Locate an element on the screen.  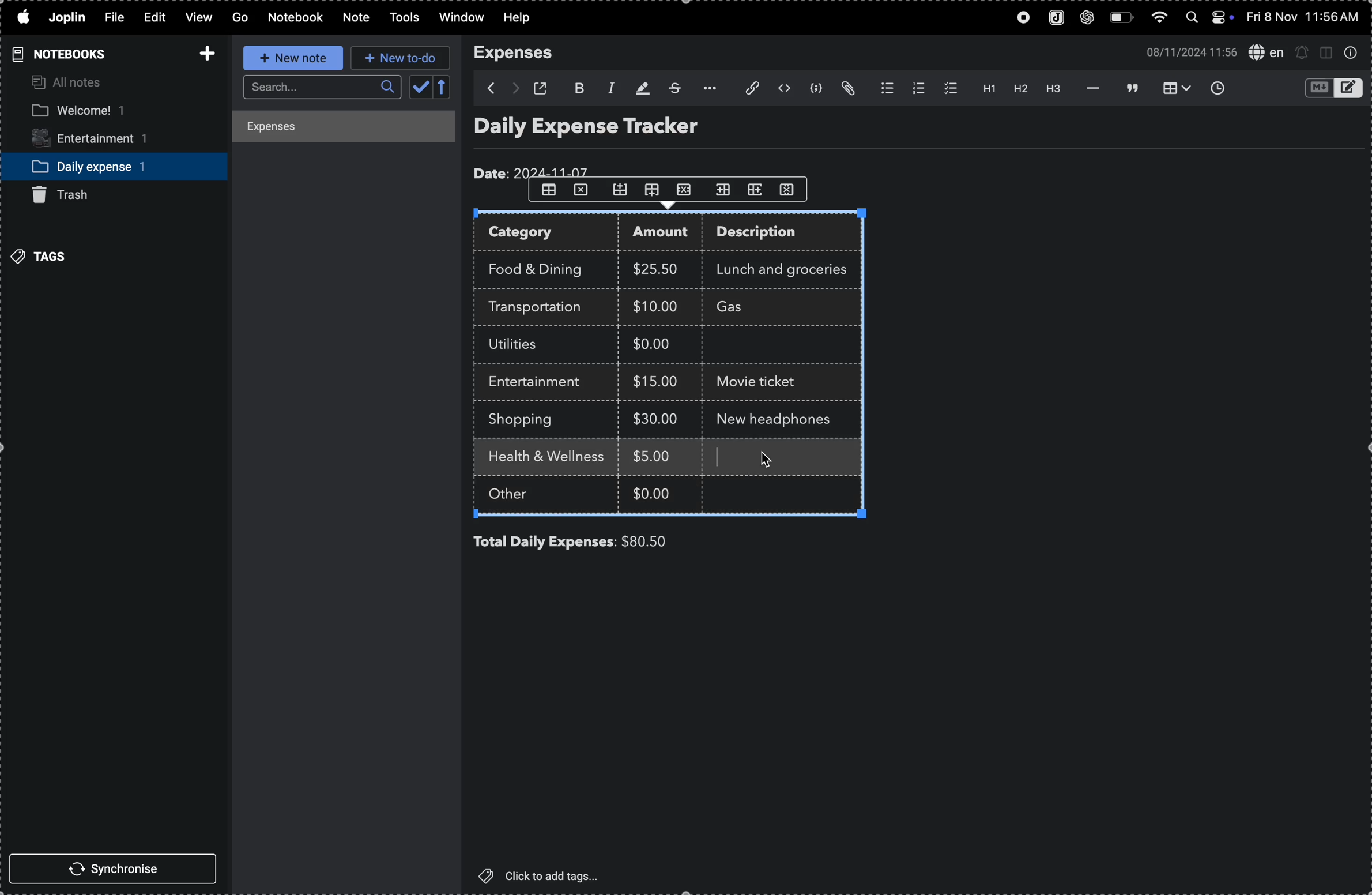
highlight is located at coordinates (640, 87).